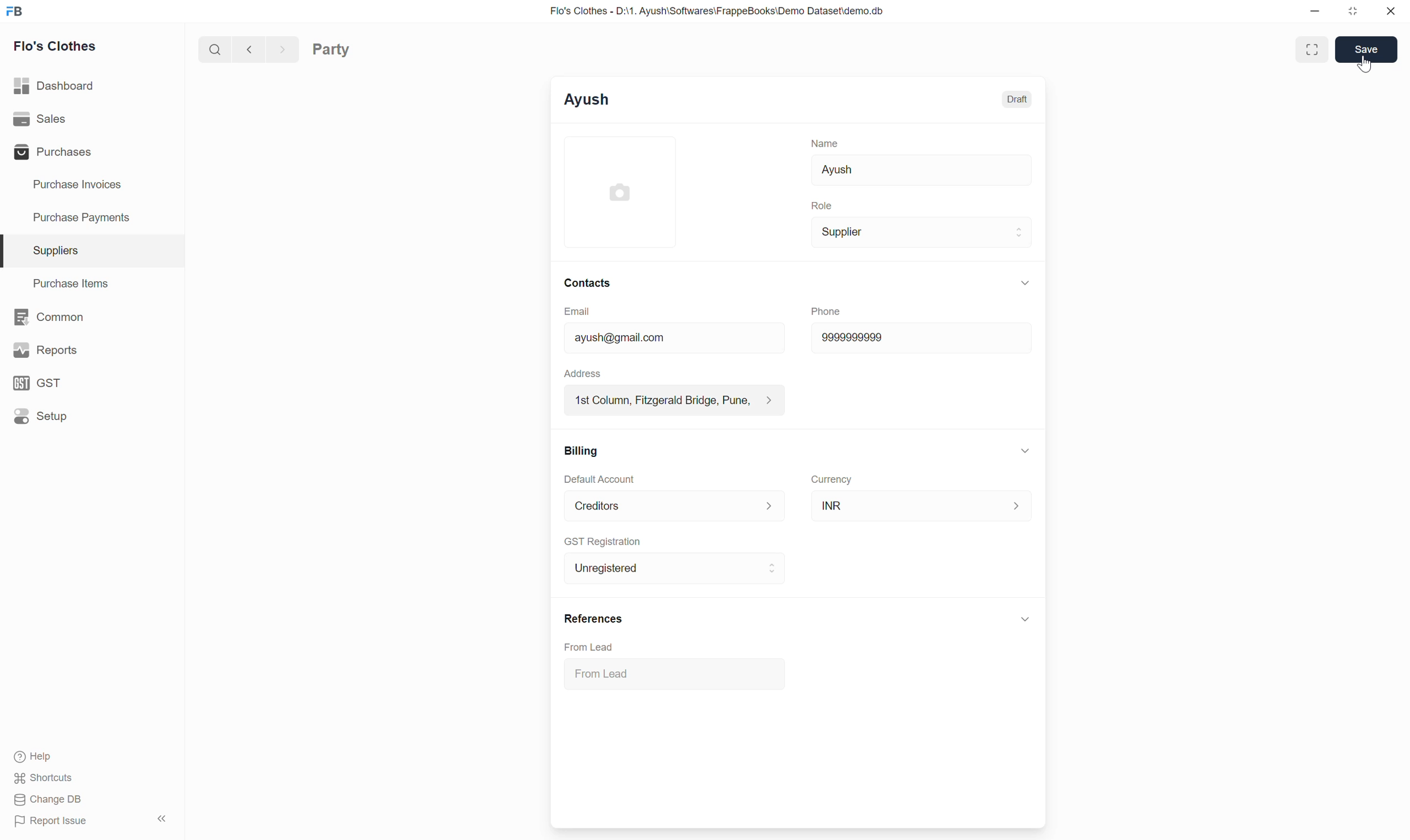 The width and height of the screenshot is (1410, 840). Describe the element at coordinates (14, 11) in the screenshot. I see `Frappe Books logo` at that location.